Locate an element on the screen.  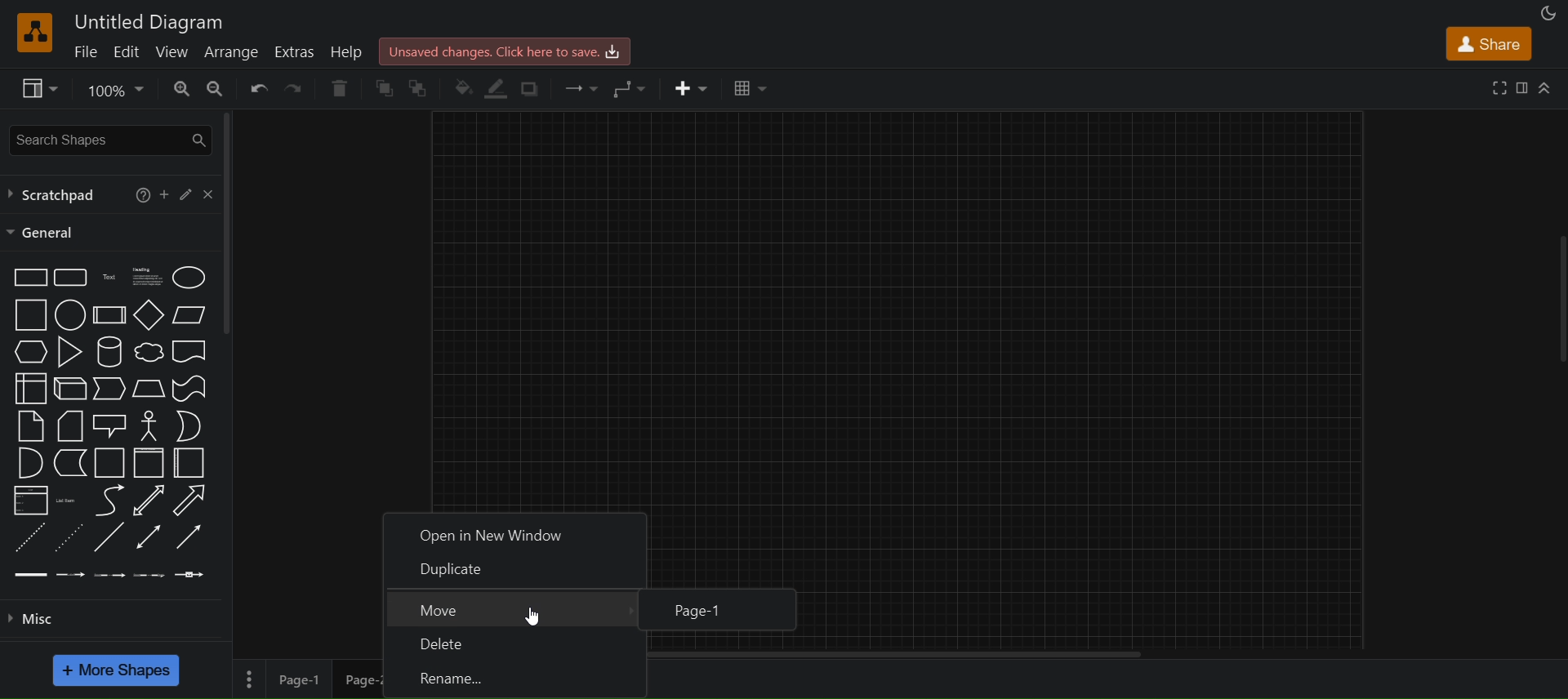
vertical scroll bar is located at coordinates (226, 224).